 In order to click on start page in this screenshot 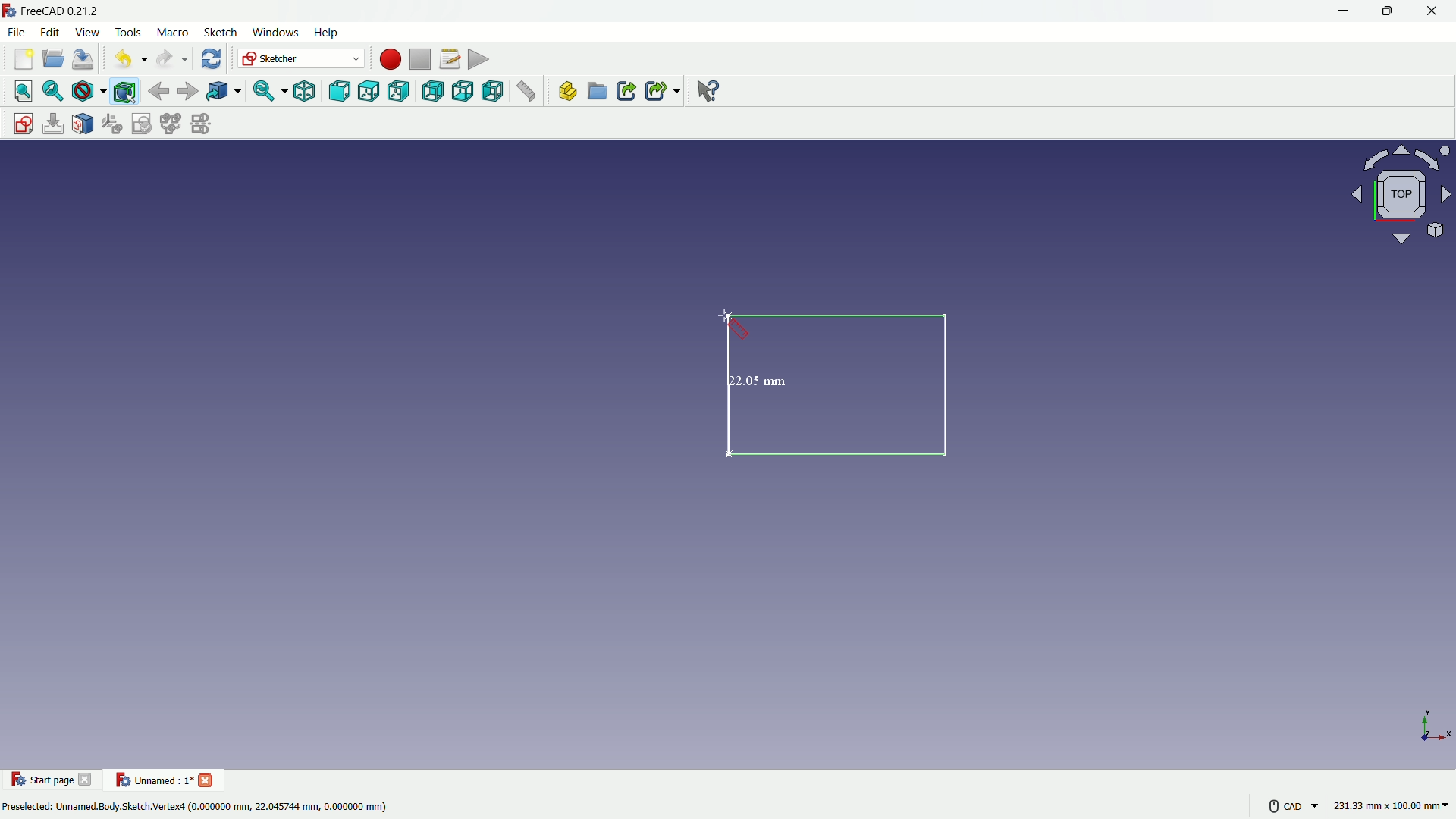, I will do `click(42, 780)`.